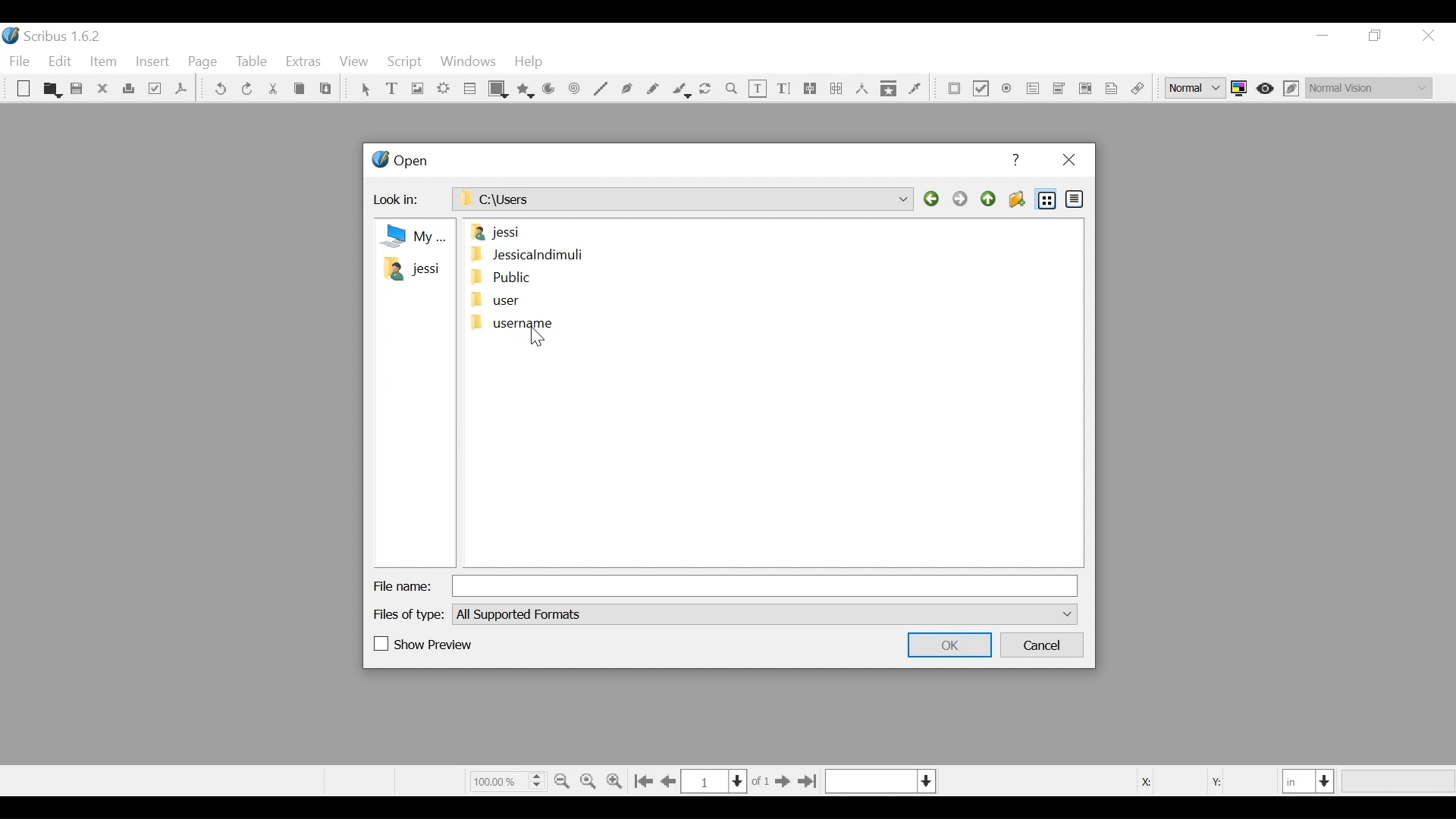  What do you see at coordinates (1197, 780) in the screenshot?
I see `Coordinates` at bounding box center [1197, 780].